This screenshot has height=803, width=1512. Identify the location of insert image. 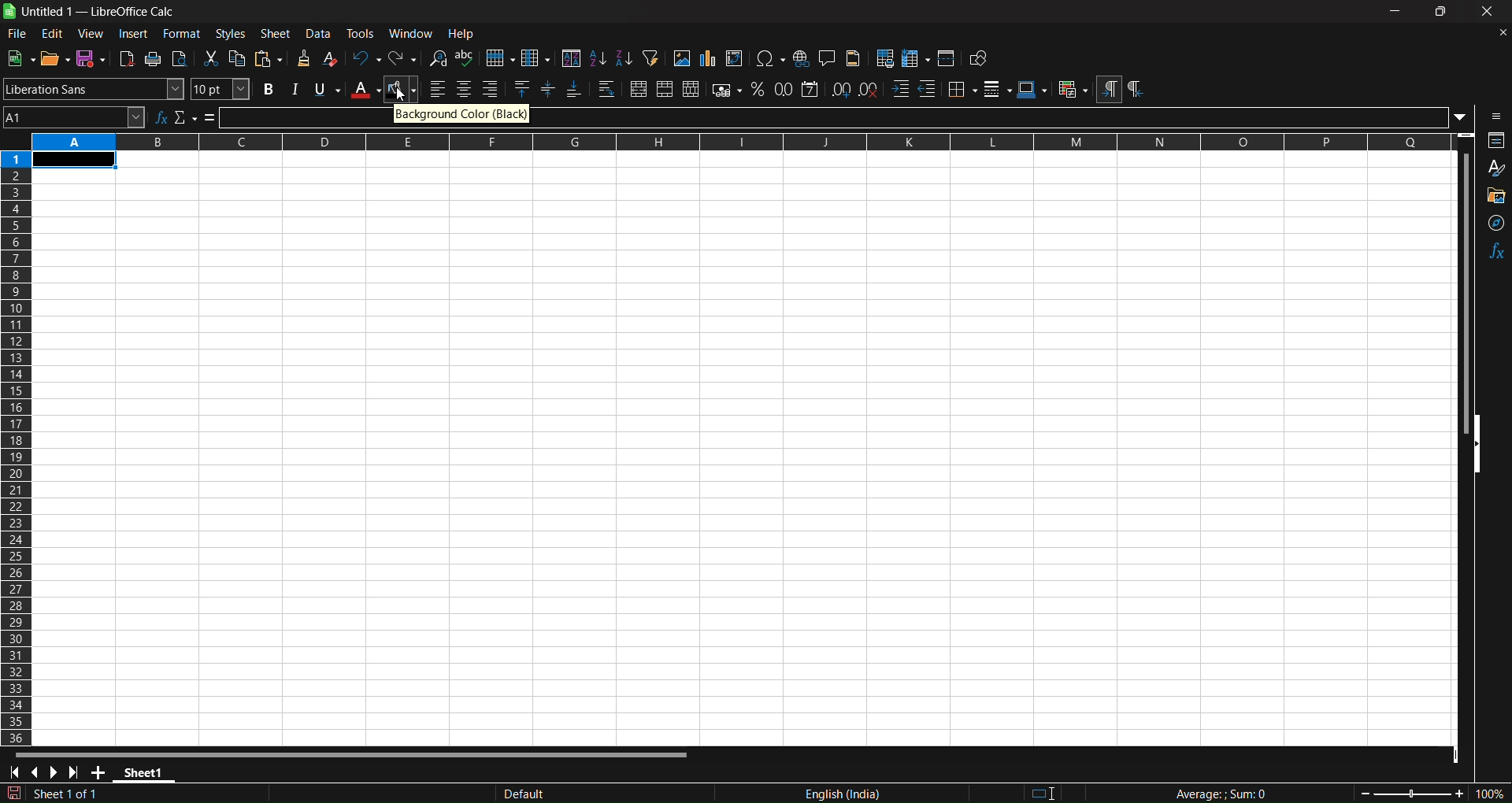
(681, 57).